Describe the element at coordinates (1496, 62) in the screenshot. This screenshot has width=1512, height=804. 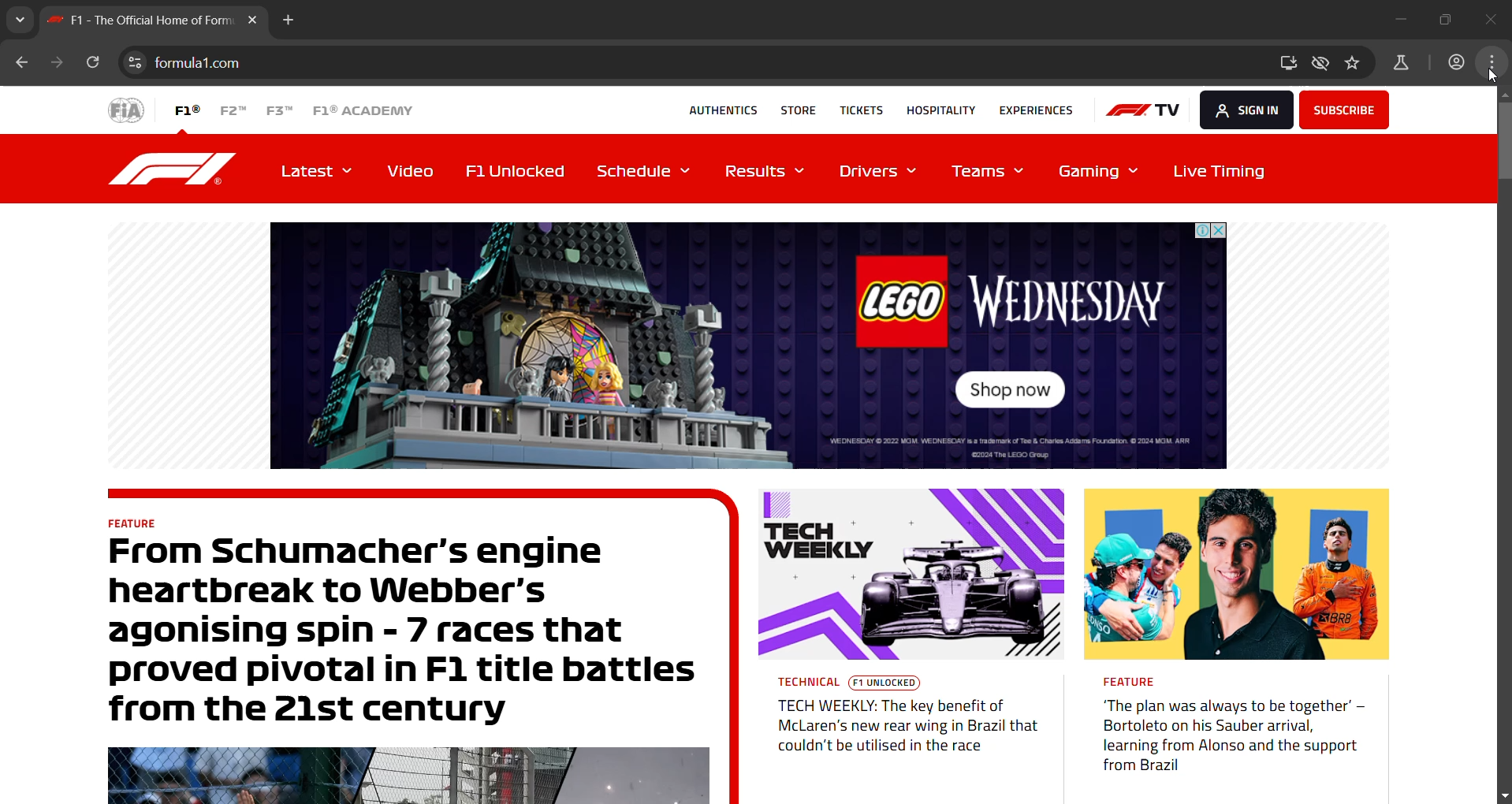
I see `customize and control` at that location.